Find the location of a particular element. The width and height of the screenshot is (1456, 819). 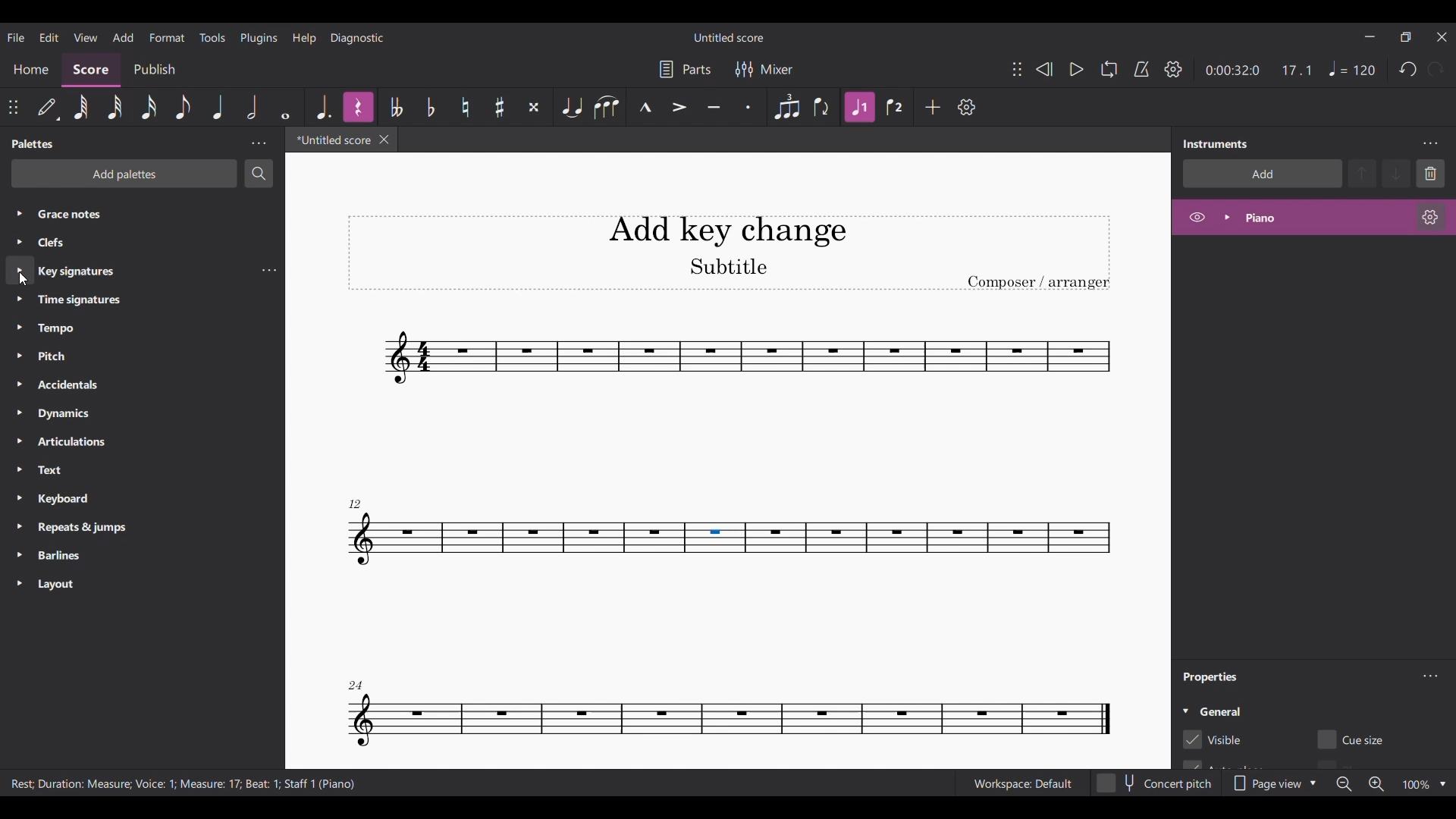

Palettes settings  is located at coordinates (259, 143).